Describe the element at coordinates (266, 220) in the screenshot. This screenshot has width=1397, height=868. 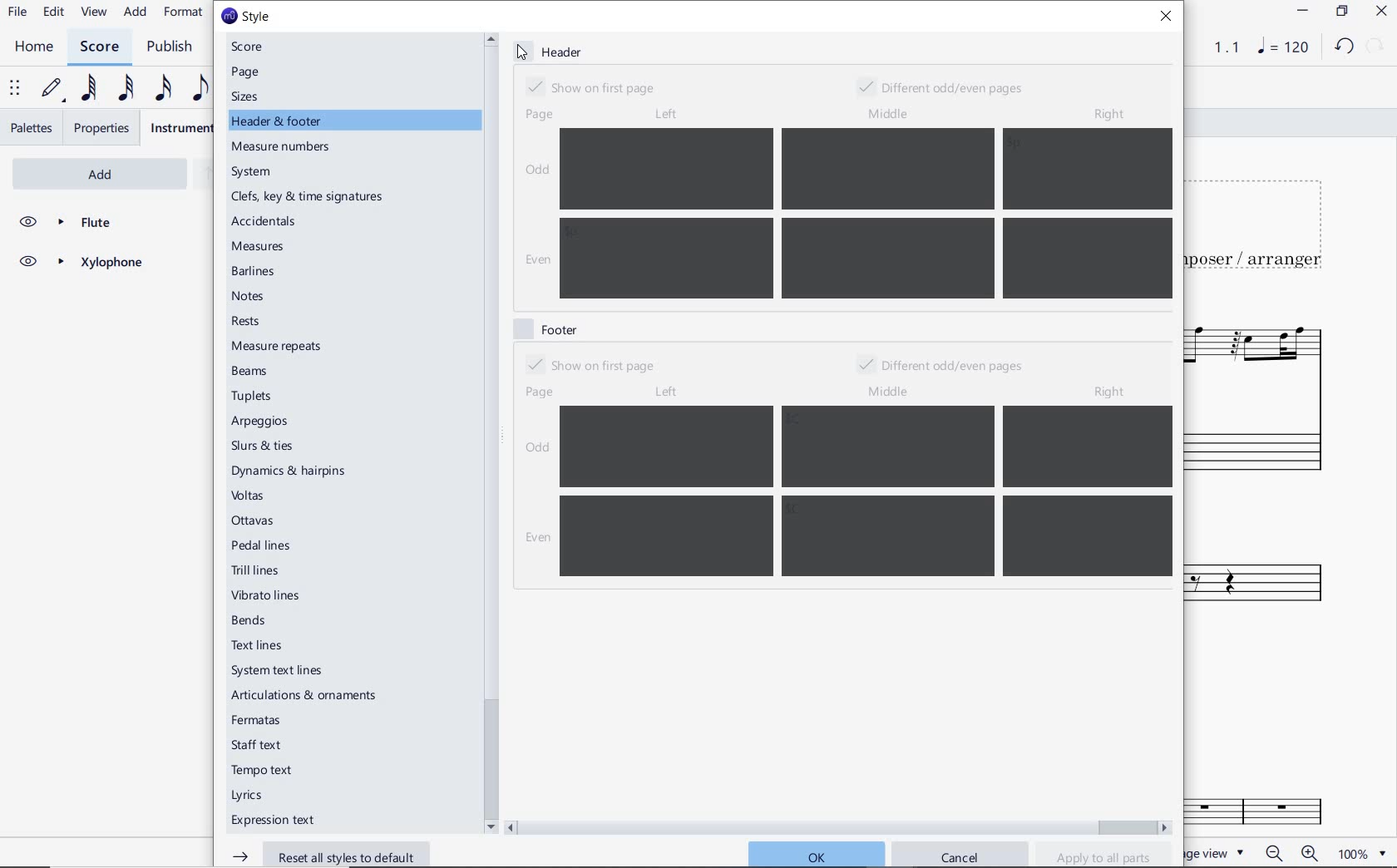
I see `accidentals` at that location.